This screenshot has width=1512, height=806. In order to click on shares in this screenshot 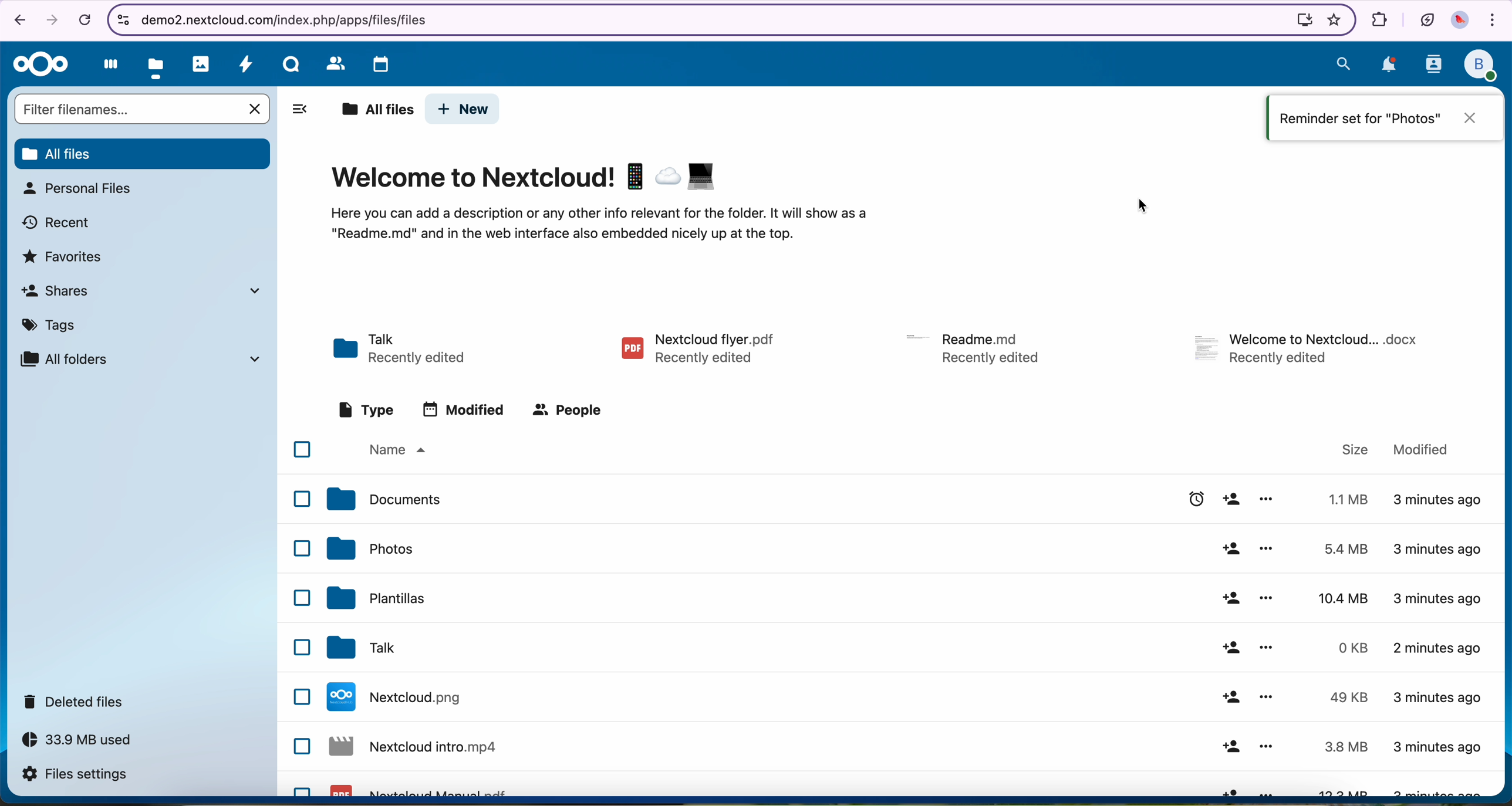, I will do `click(147, 293)`.